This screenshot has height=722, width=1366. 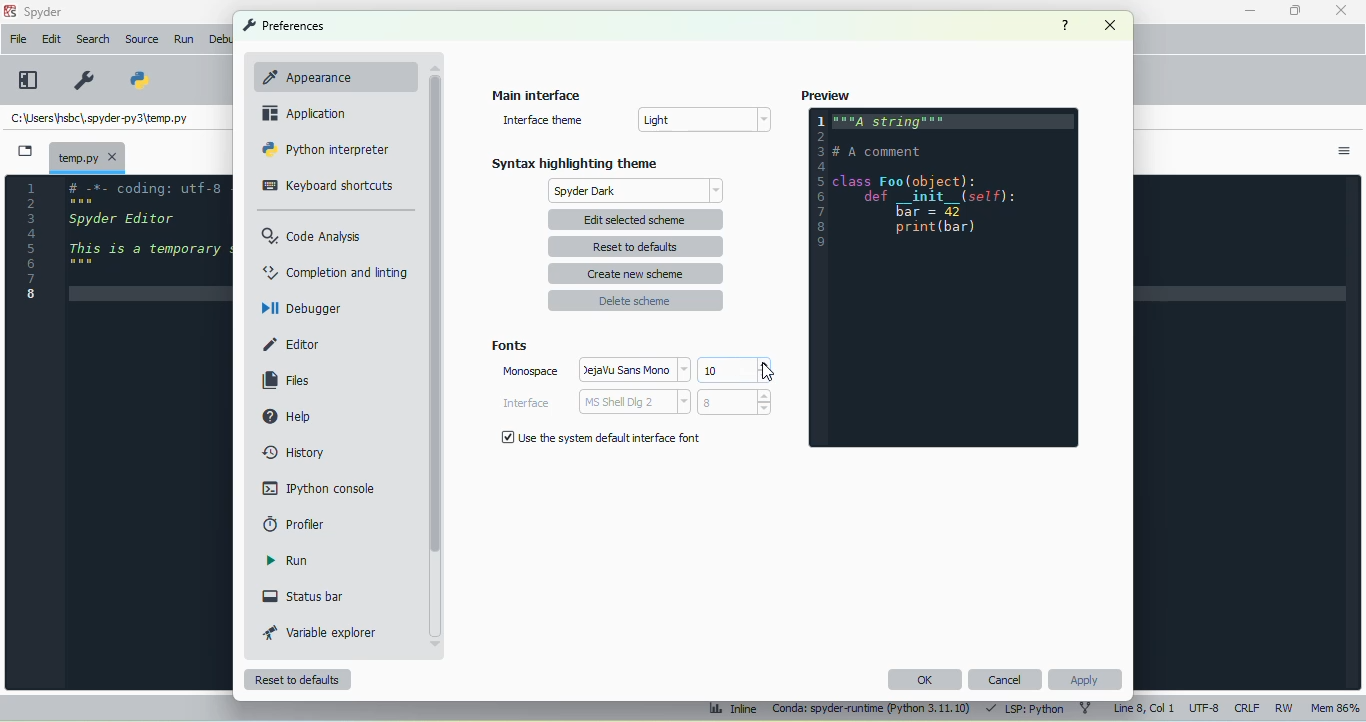 I want to click on create new scheme, so click(x=636, y=274).